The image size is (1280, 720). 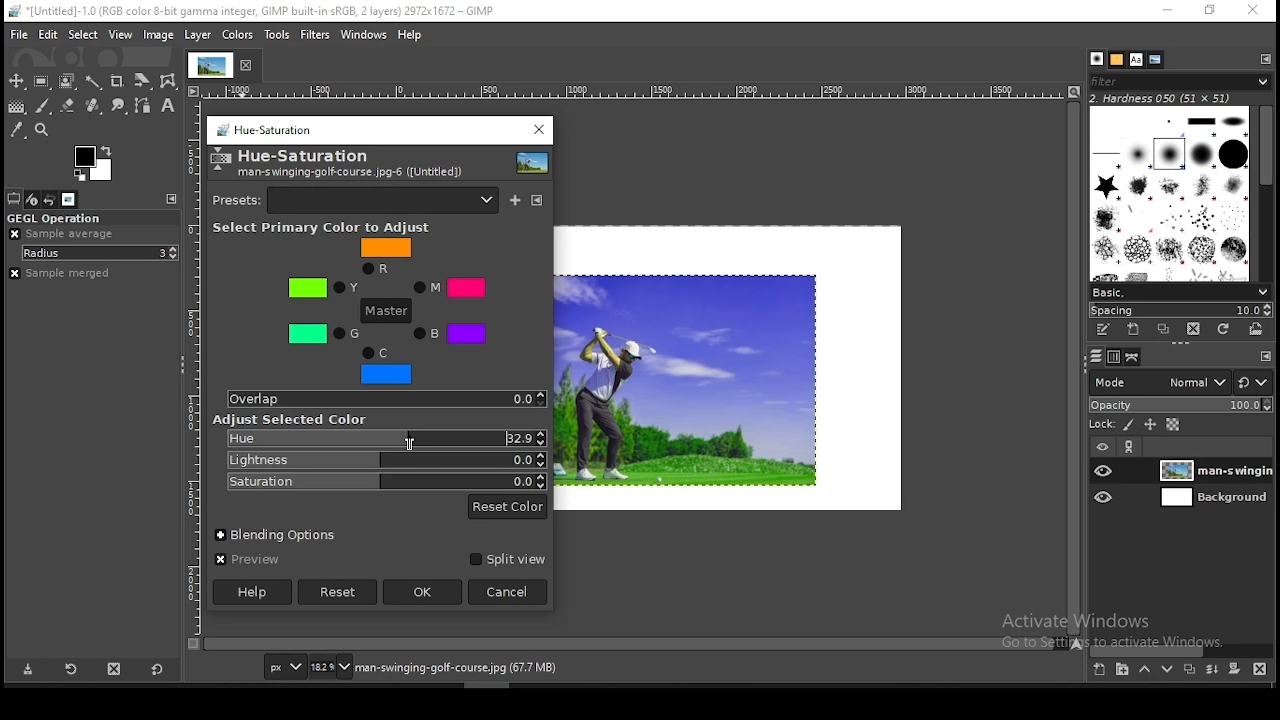 What do you see at coordinates (52, 200) in the screenshot?
I see `undo history` at bounding box center [52, 200].